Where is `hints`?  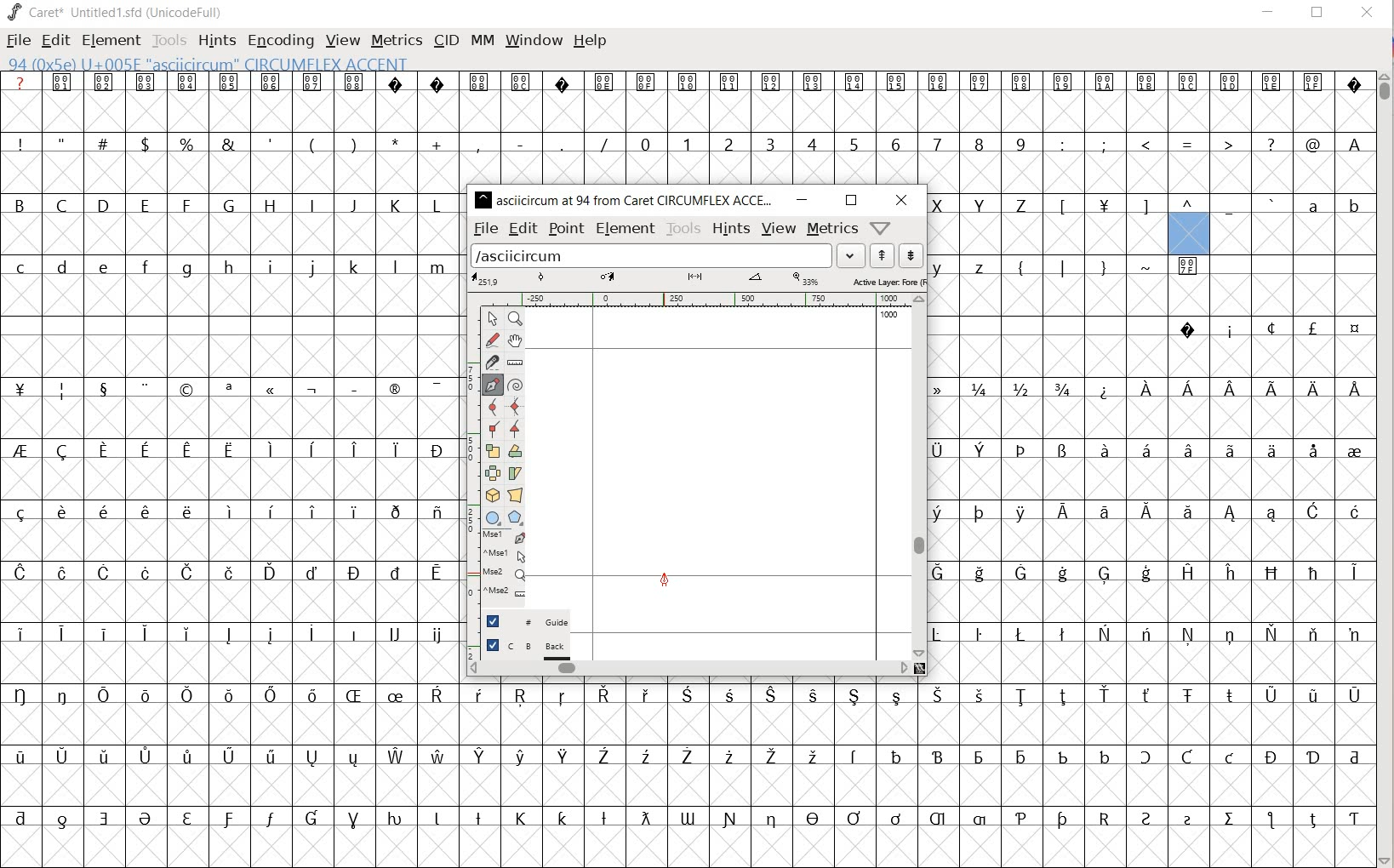 hints is located at coordinates (732, 229).